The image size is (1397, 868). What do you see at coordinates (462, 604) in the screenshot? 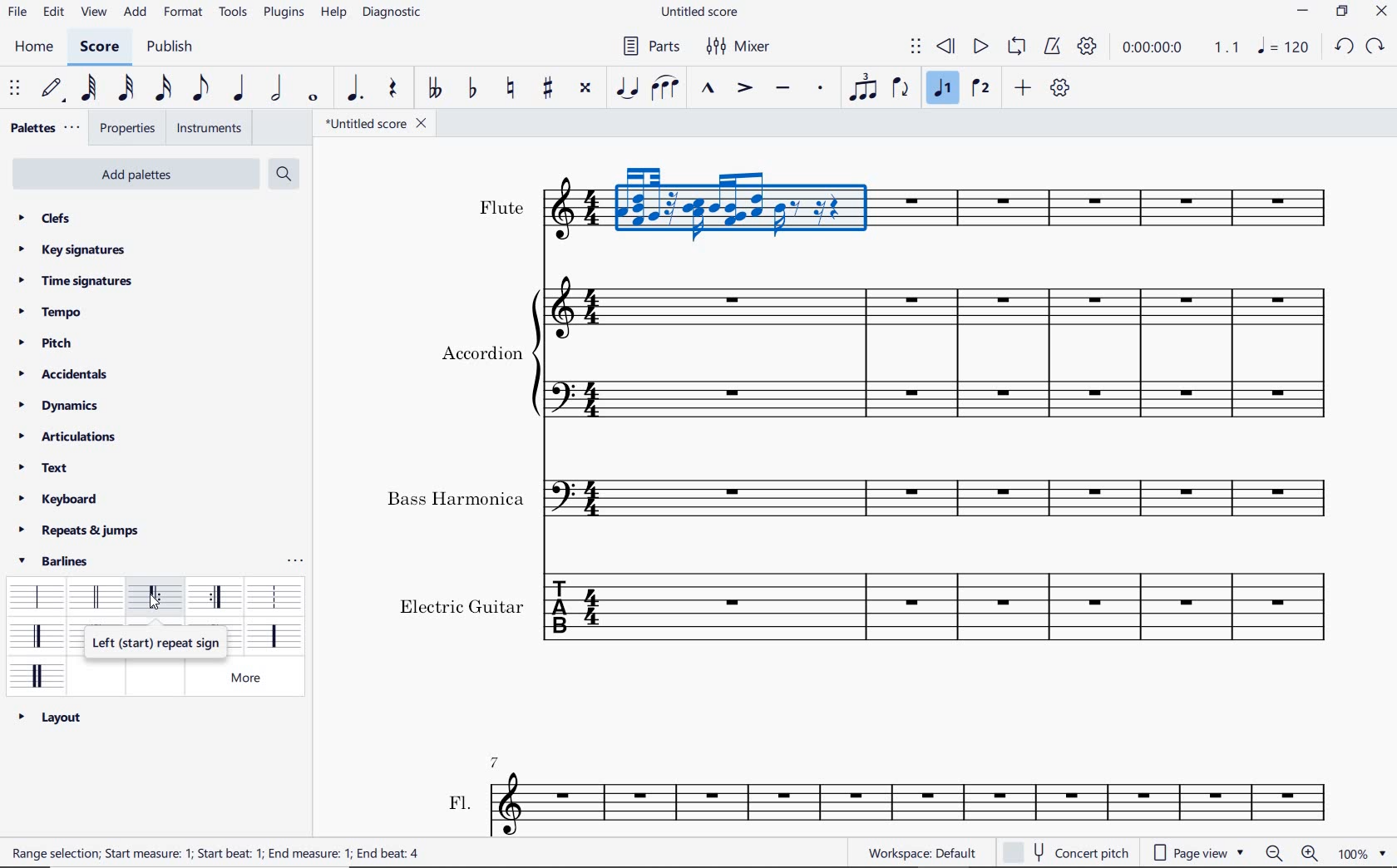
I see `text` at bounding box center [462, 604].